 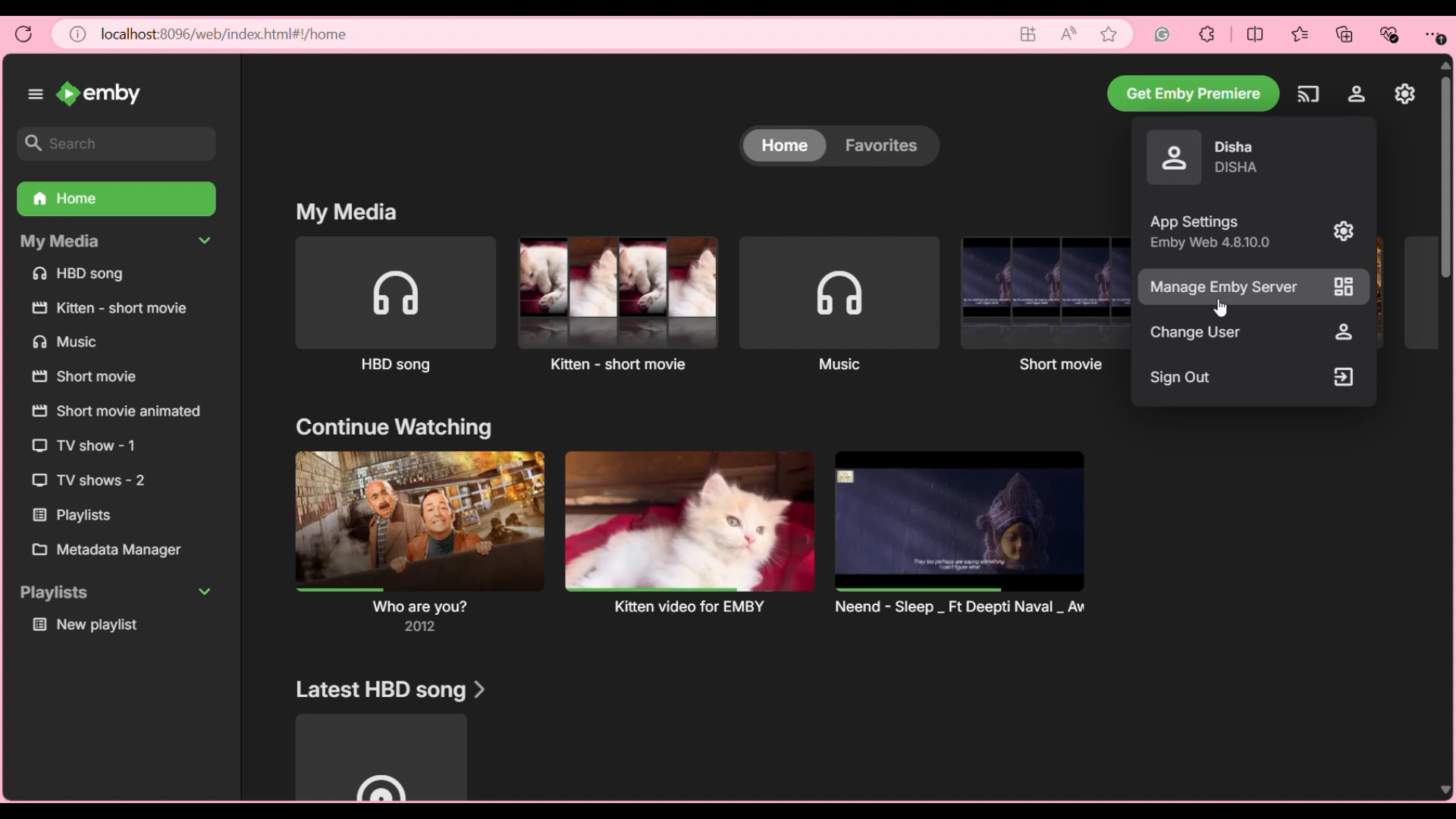 I want to click on playlist, so click(x=75, y=516).